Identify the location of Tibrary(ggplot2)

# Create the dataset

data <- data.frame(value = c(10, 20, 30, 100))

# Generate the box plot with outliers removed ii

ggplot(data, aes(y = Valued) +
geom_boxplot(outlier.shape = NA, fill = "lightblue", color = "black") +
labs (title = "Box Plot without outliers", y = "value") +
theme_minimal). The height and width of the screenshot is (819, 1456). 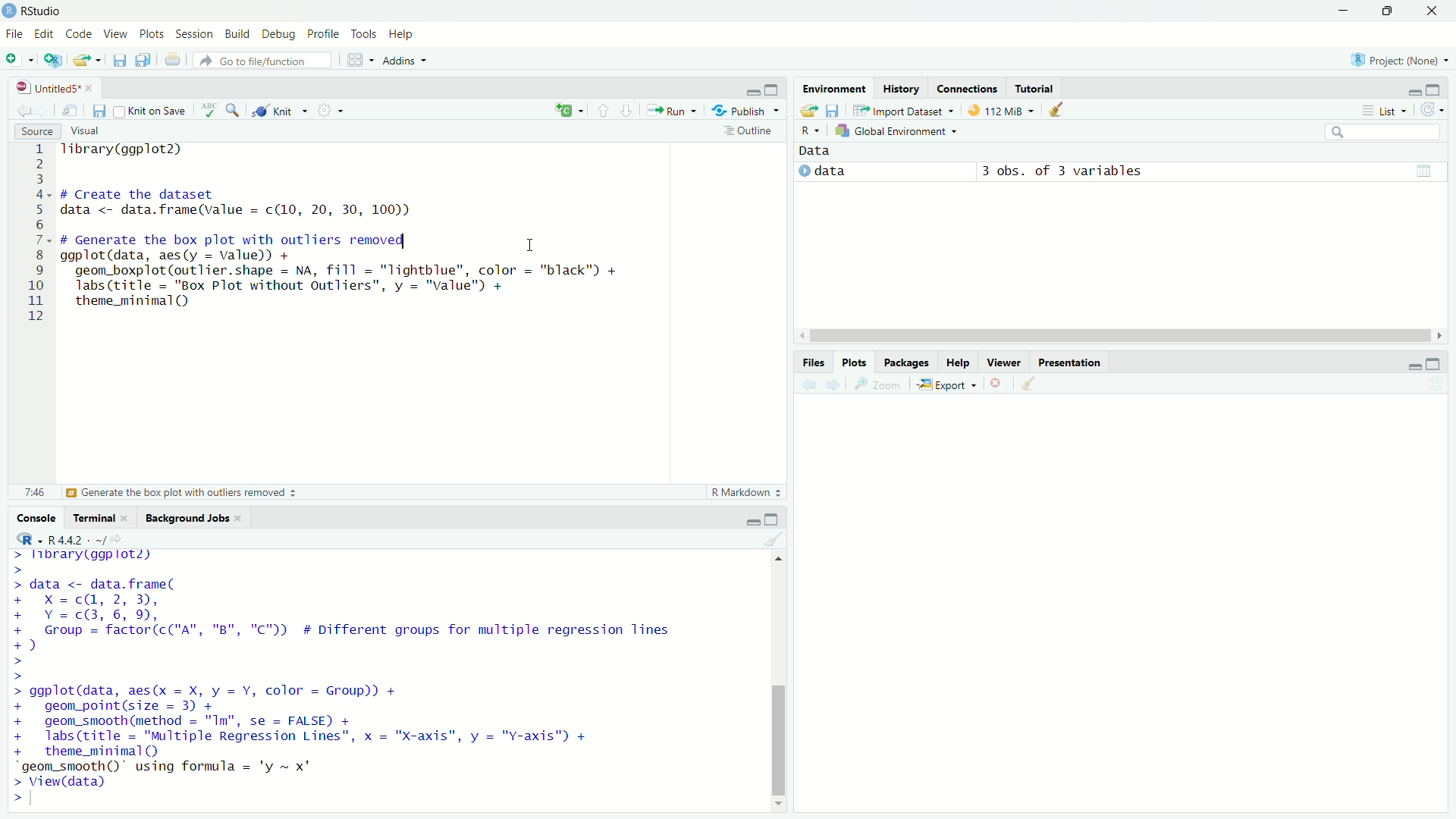
(363, 242).